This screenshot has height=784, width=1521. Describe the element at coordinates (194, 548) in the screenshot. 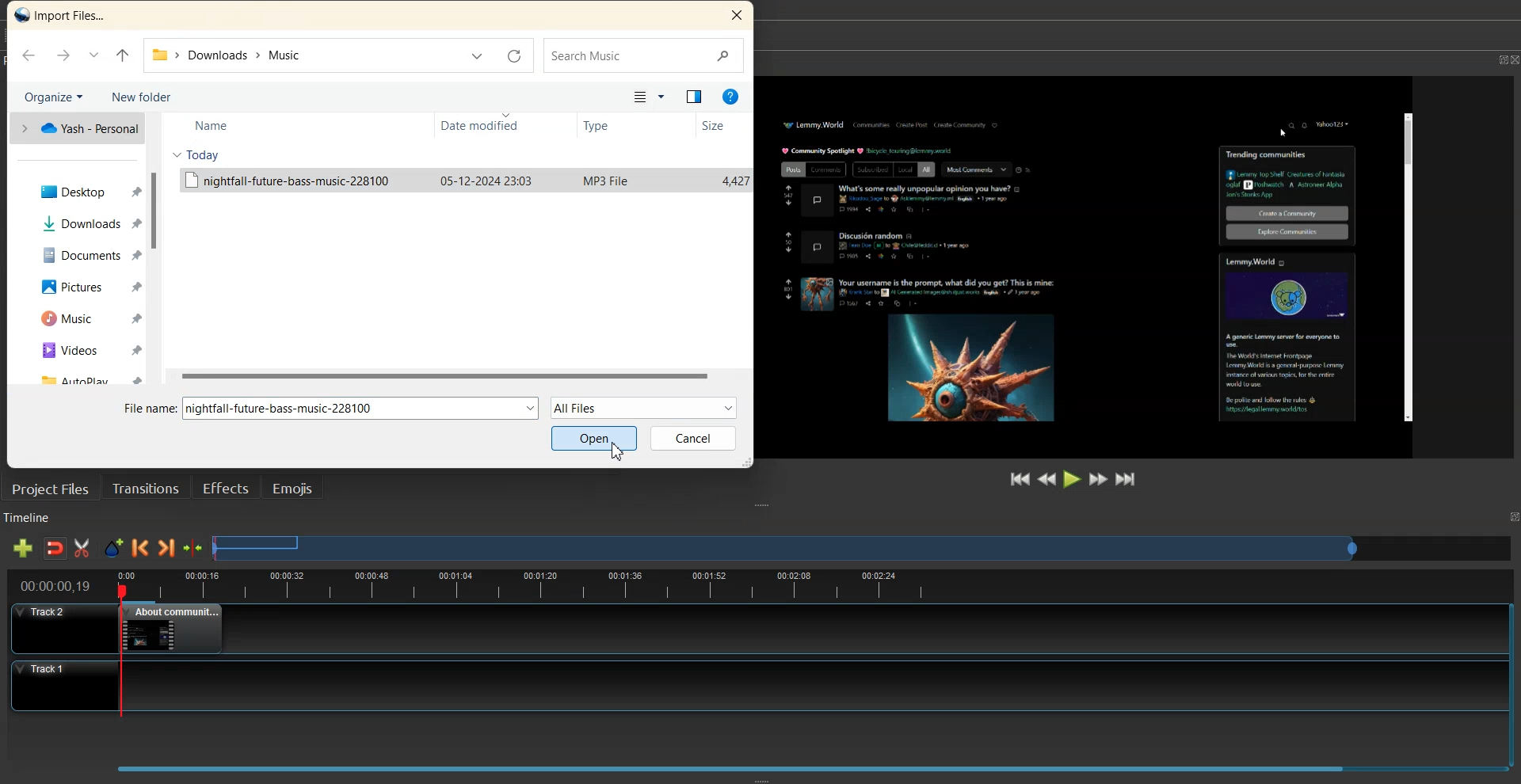

I see `Center the timeline on the playhead` at that location.